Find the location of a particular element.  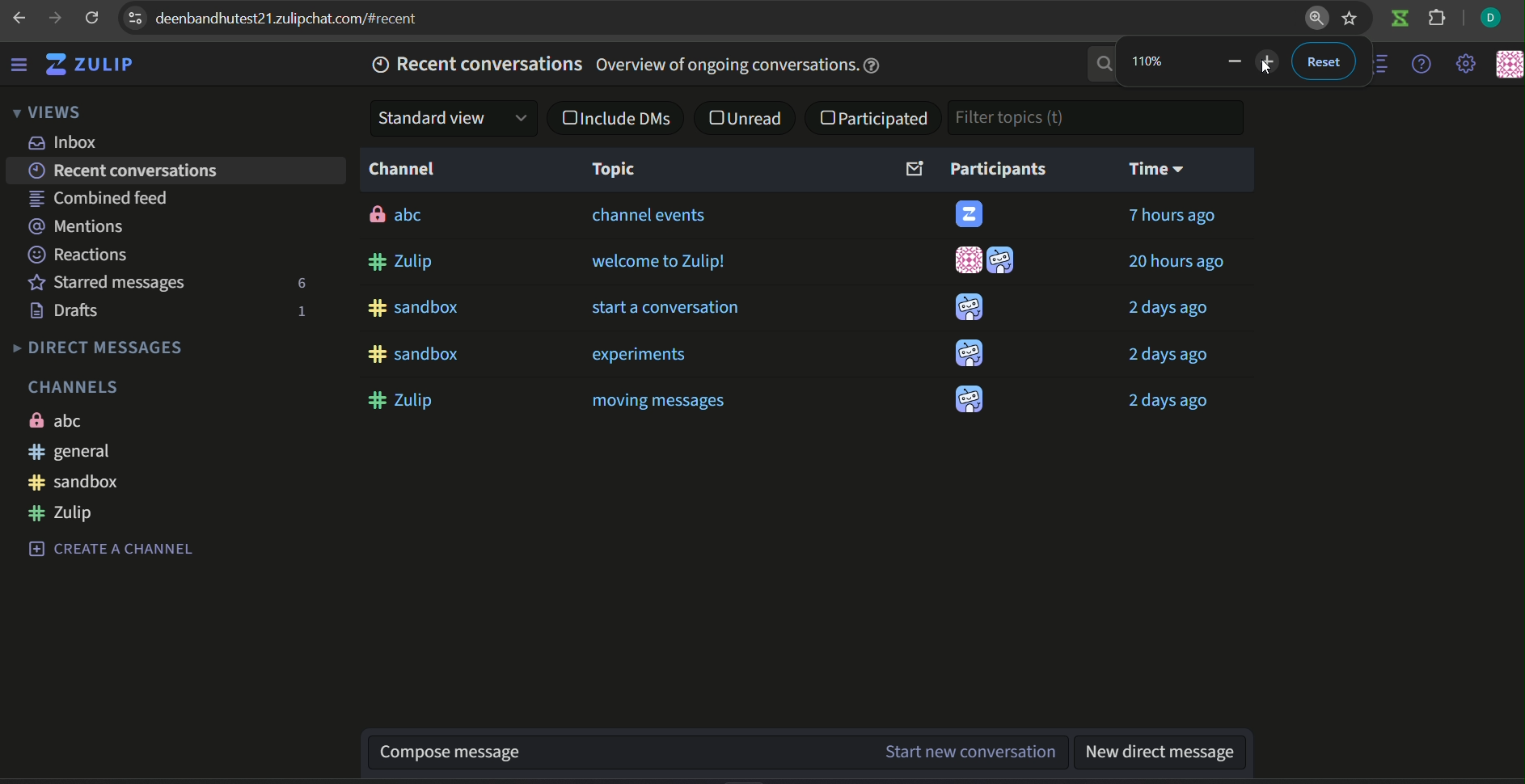

dropdown is located at coordinates (450, 118).